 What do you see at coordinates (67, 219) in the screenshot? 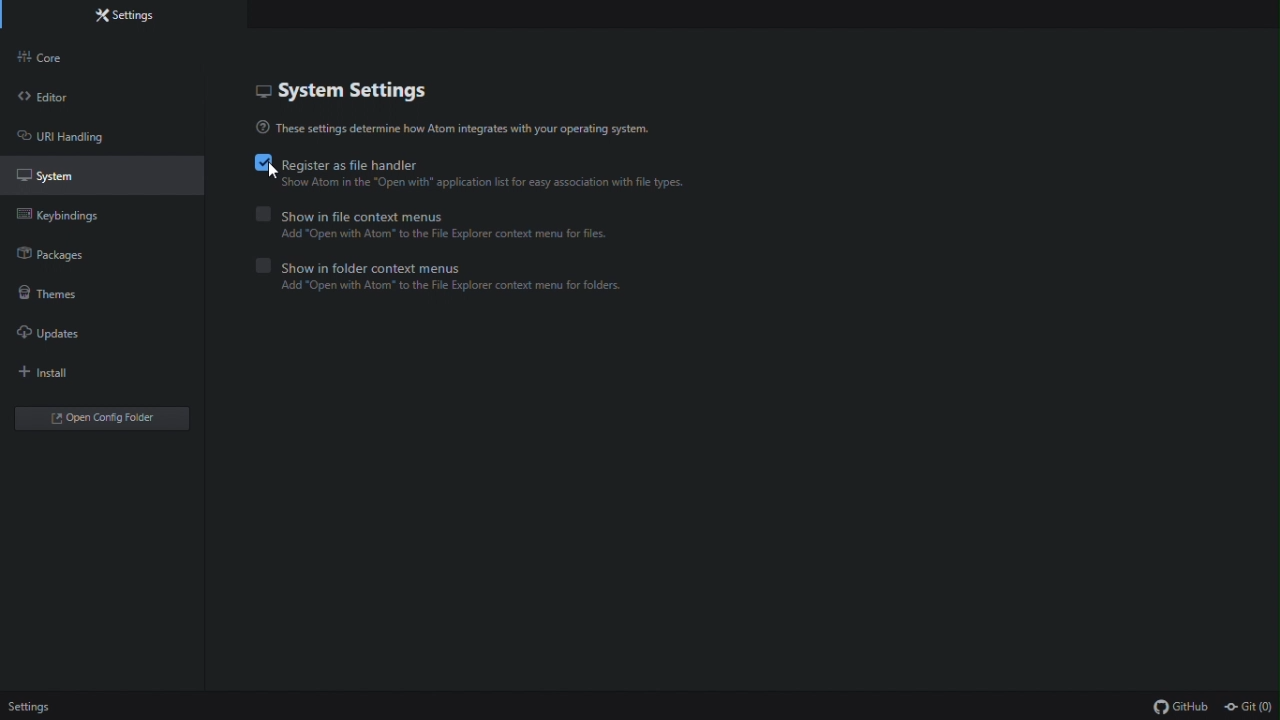
I see `Key binding` at bounding box center [67, 219].